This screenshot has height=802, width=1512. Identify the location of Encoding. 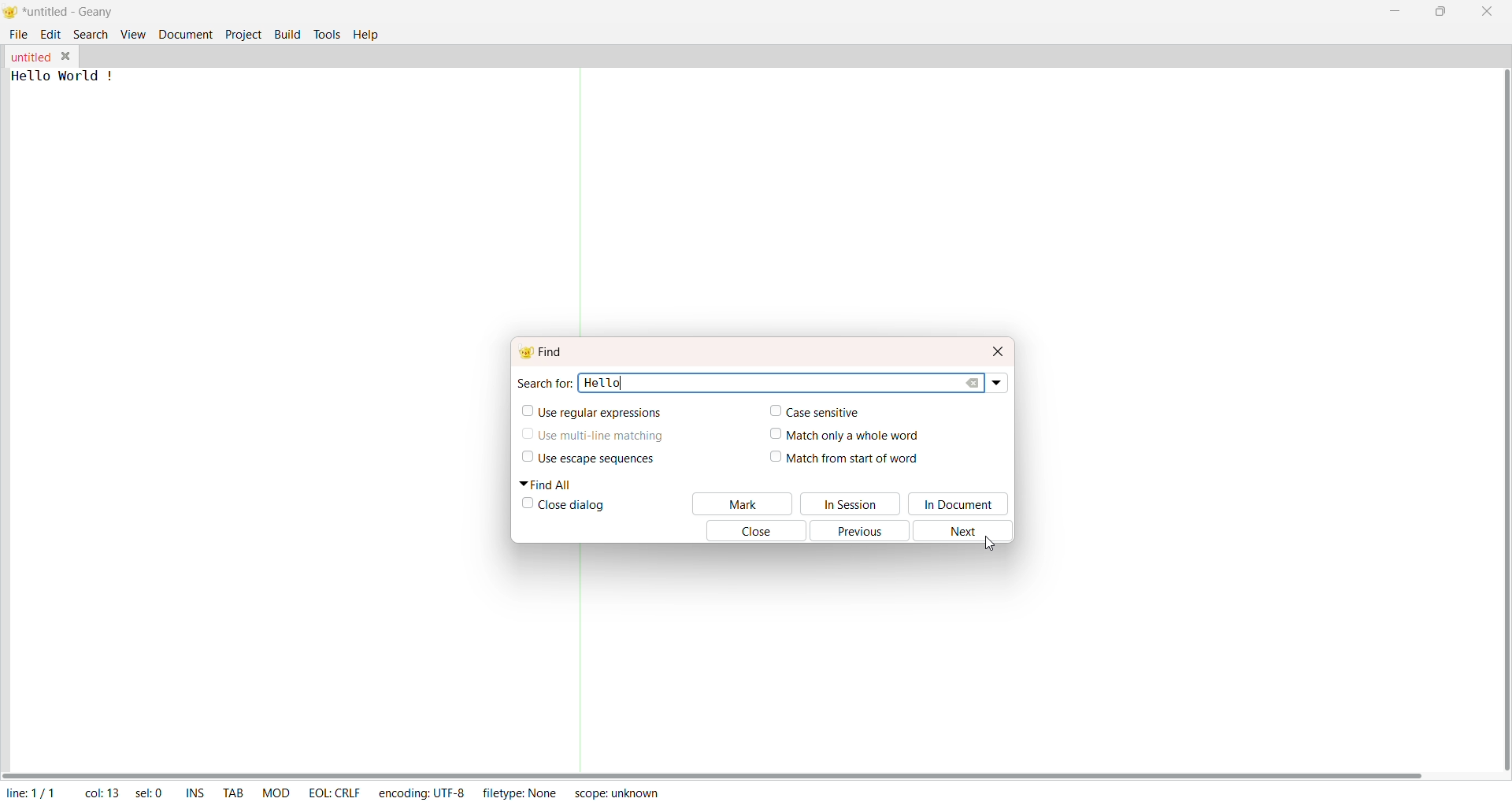
(421, 791).